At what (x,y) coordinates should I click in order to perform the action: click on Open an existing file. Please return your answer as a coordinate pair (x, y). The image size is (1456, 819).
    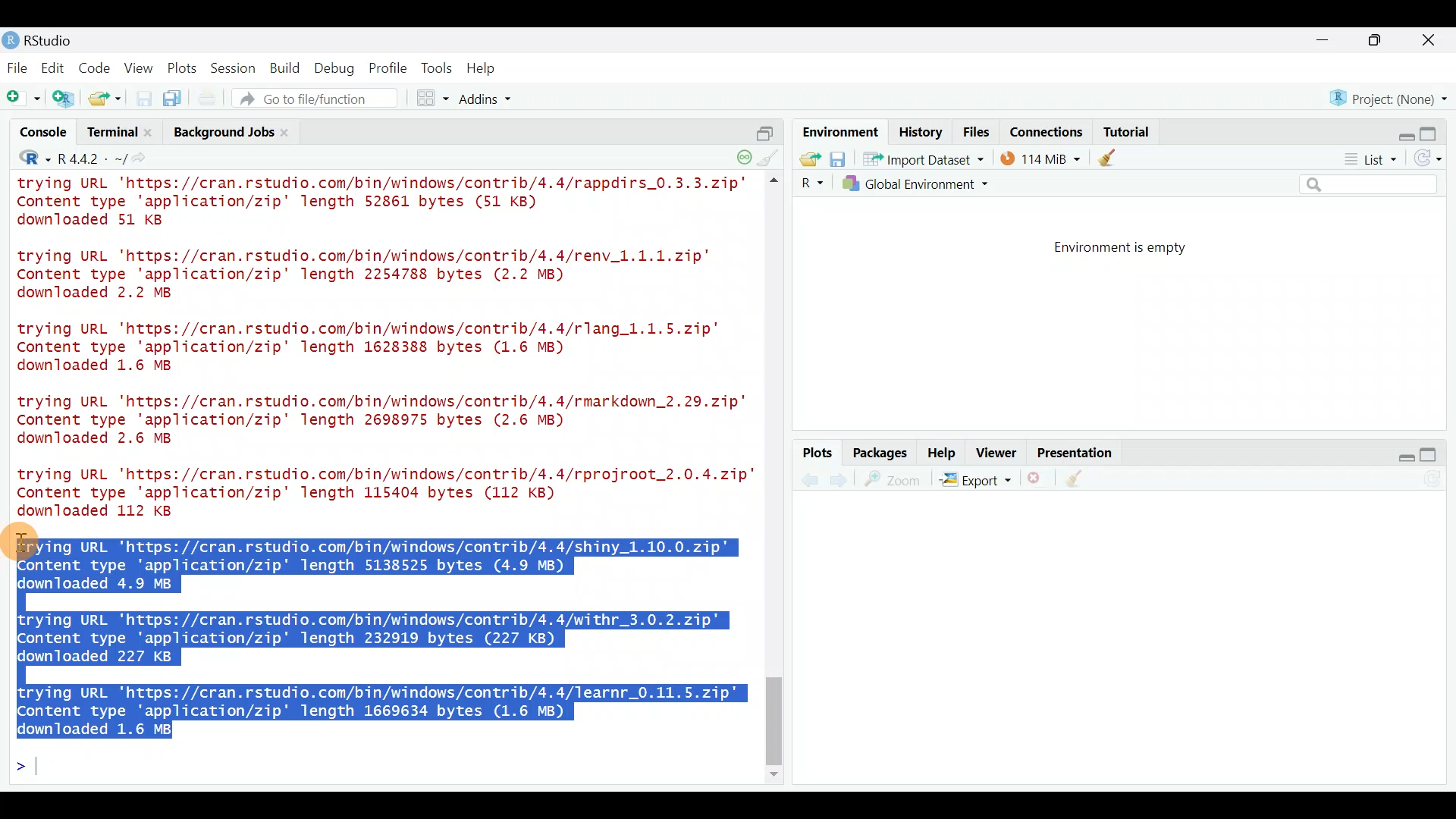
    Looking at the image, I should click on (106, 100).